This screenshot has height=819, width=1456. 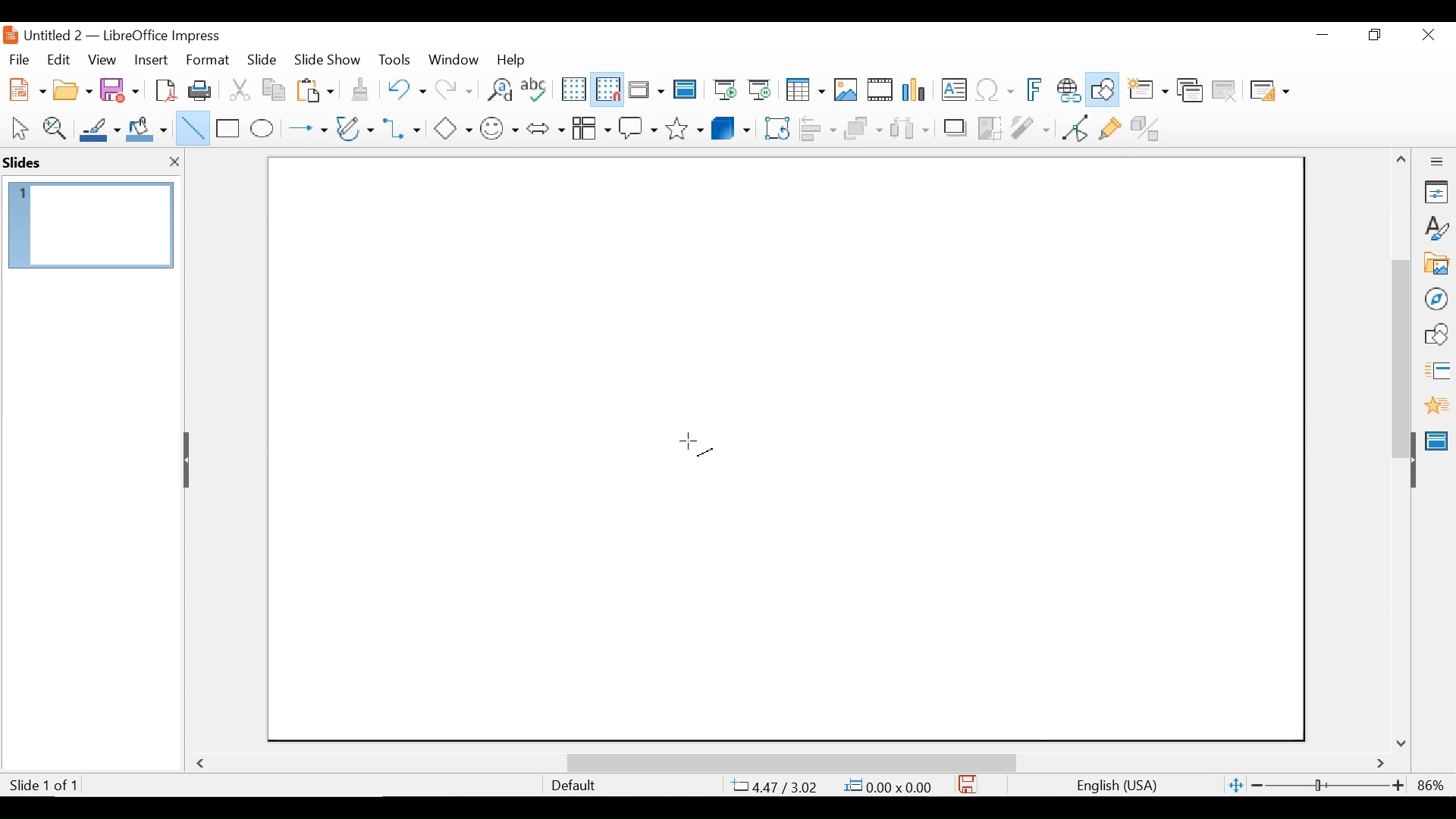 What do you see at coordinates (42, 784) in the screenshot?
I see `Slide 1 of 1` at bounding box center [42, 784].